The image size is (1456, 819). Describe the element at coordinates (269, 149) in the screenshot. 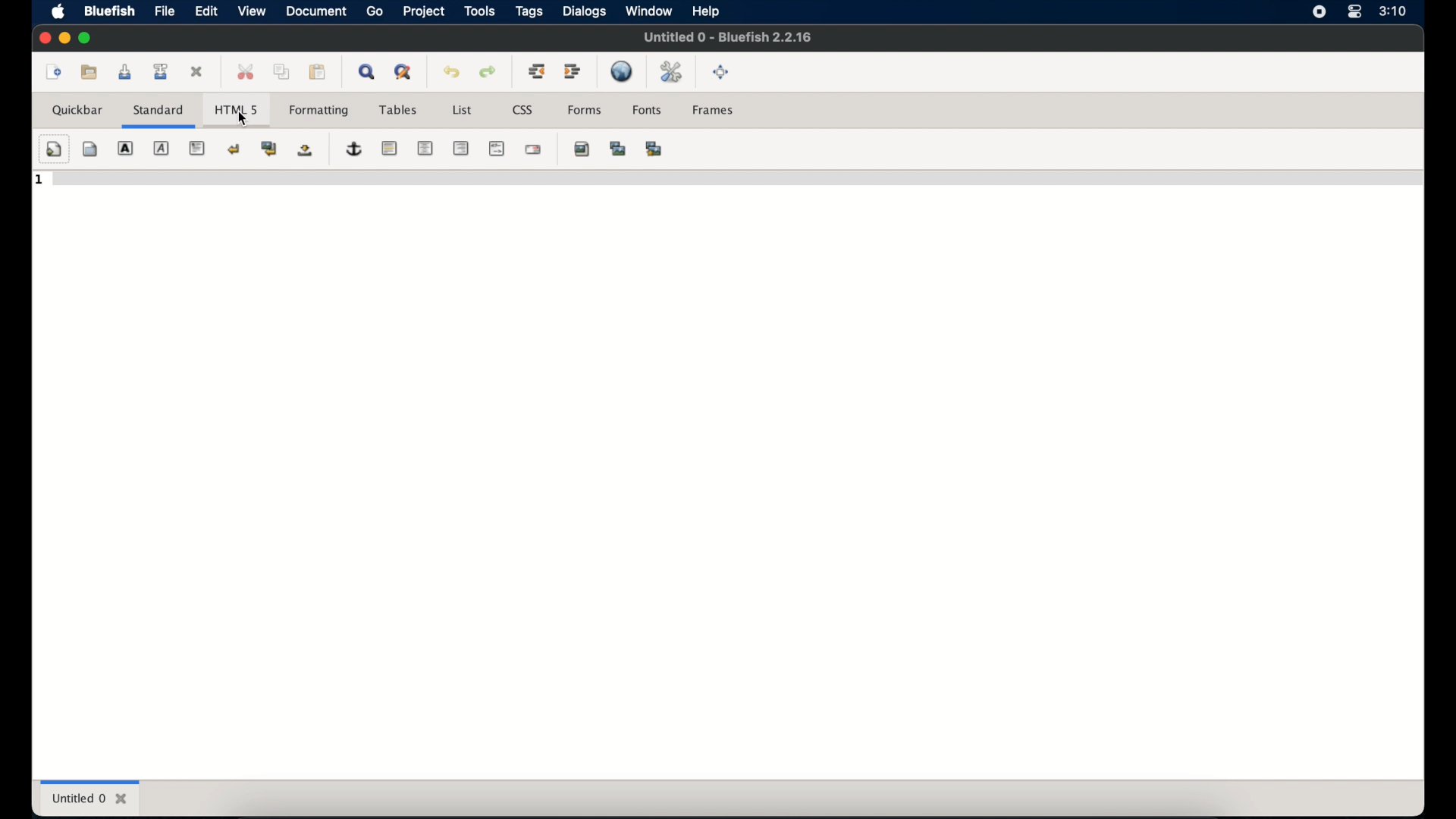

I see `break and clear` at that location.